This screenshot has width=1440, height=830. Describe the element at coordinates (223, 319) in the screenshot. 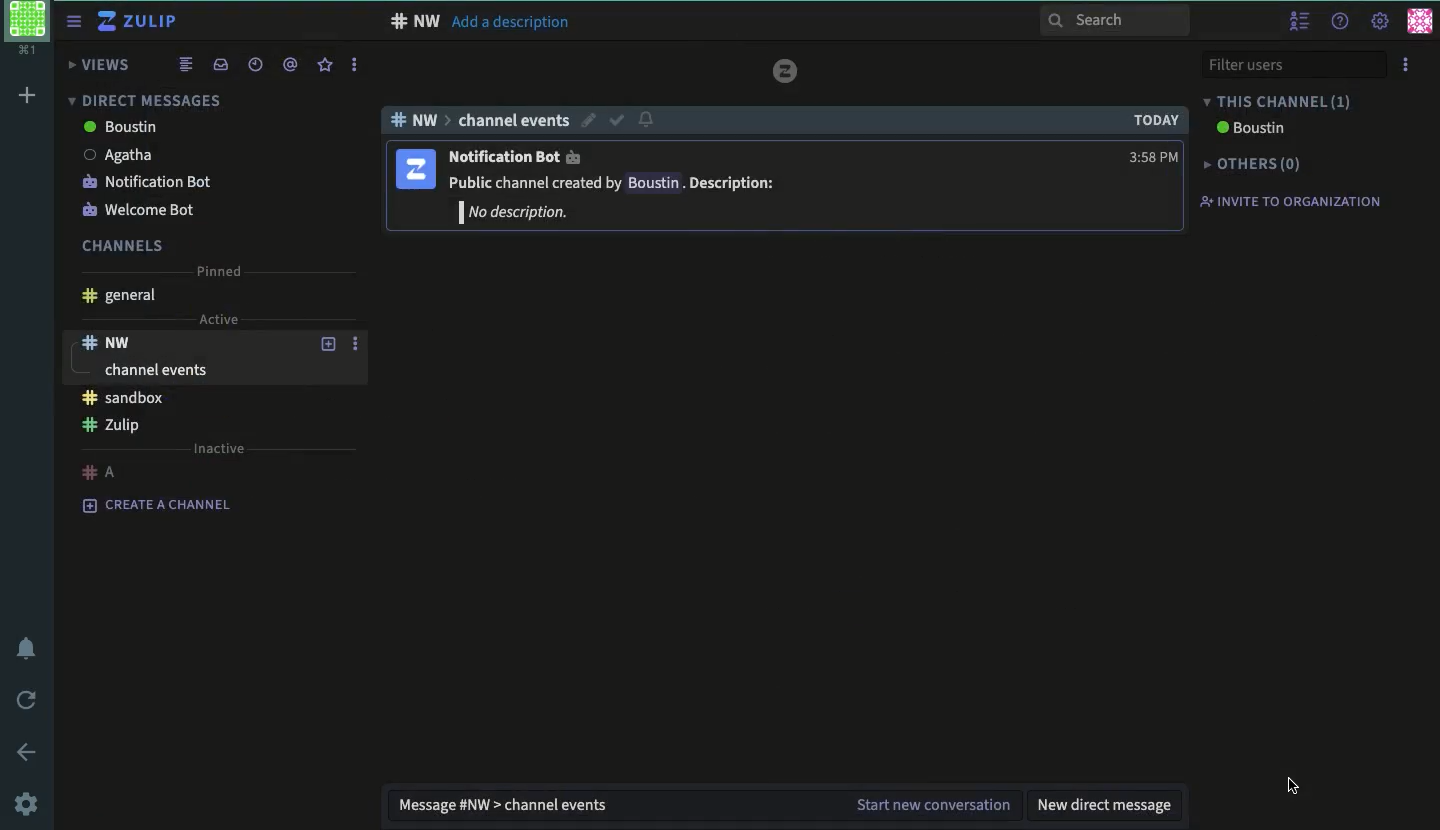

I see `Active` at that location.